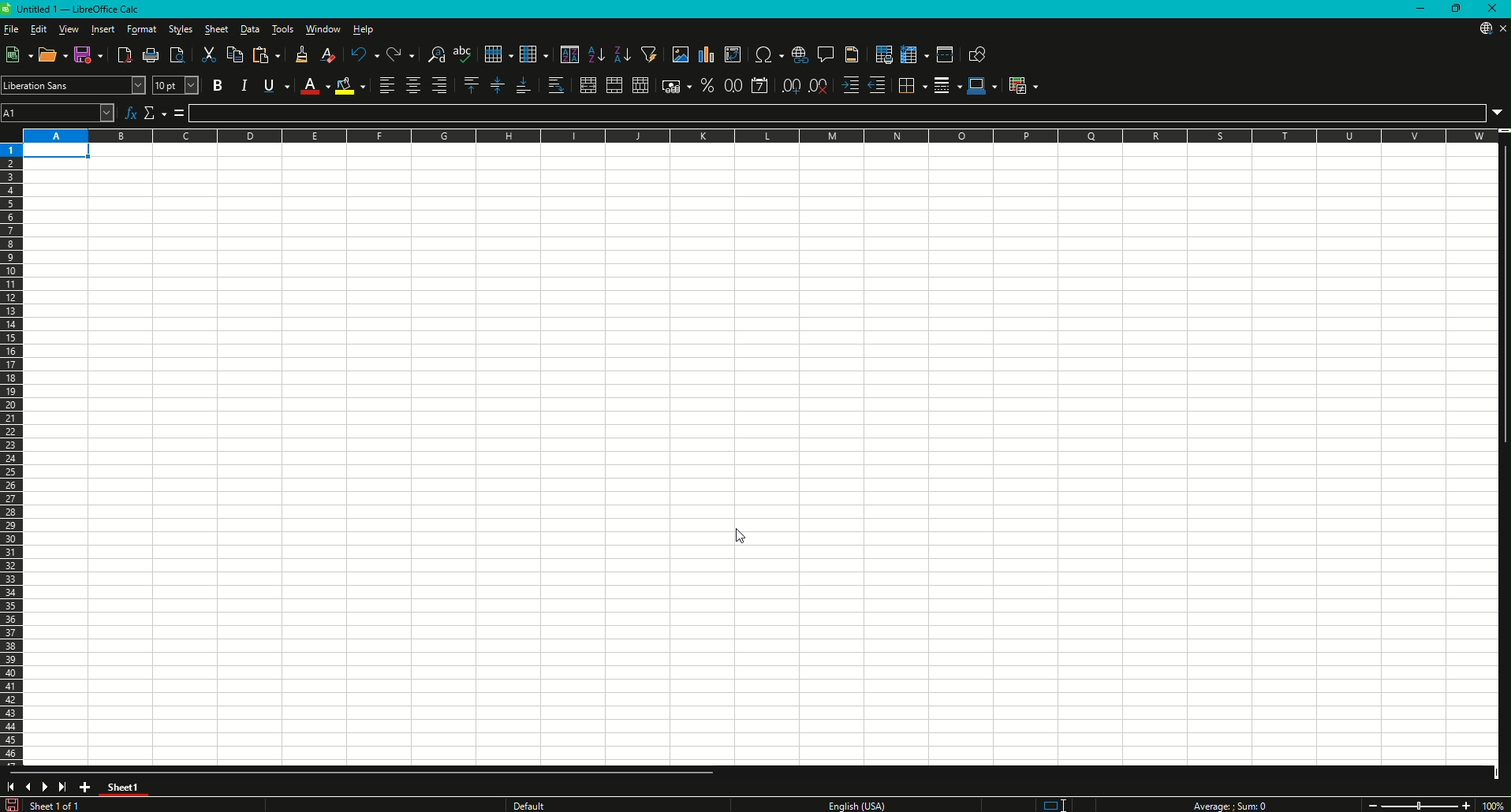  I want to click on Vertical slide bar, so click(1505, 294).